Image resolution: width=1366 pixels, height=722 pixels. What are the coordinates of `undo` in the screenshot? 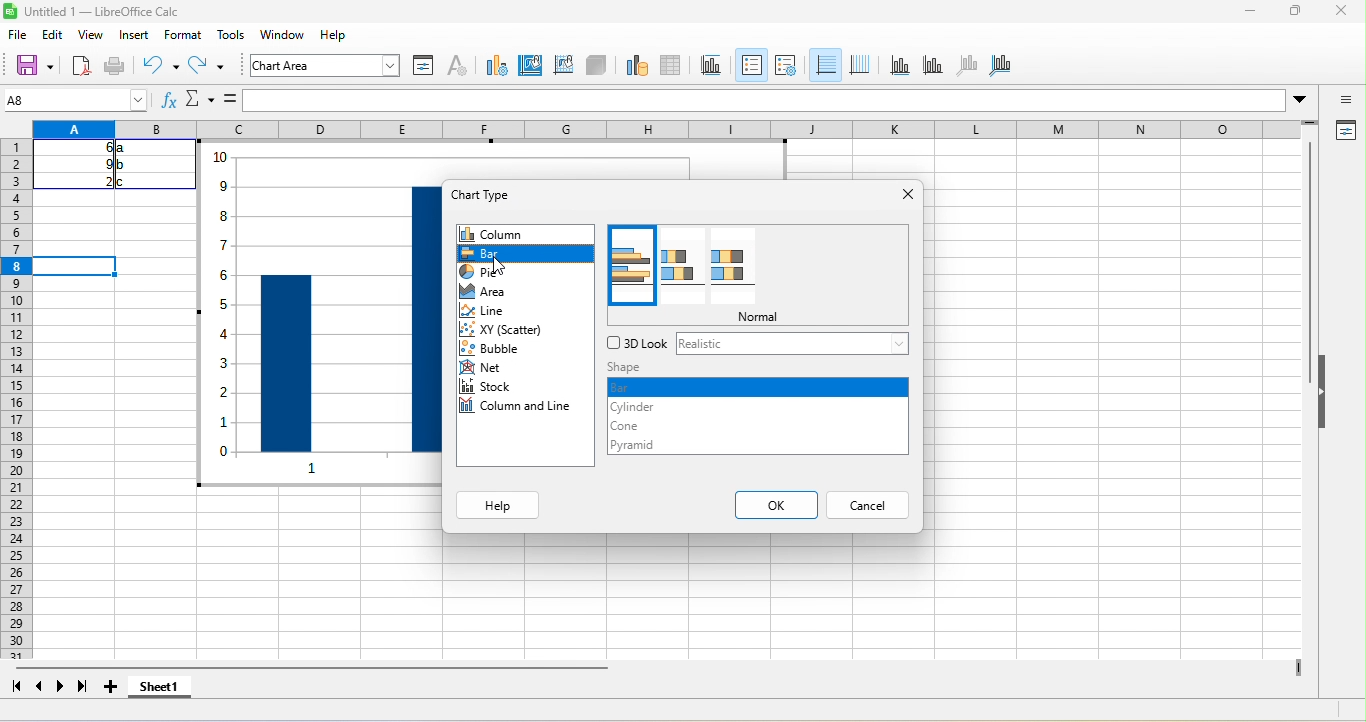 It's located at (157, 66).